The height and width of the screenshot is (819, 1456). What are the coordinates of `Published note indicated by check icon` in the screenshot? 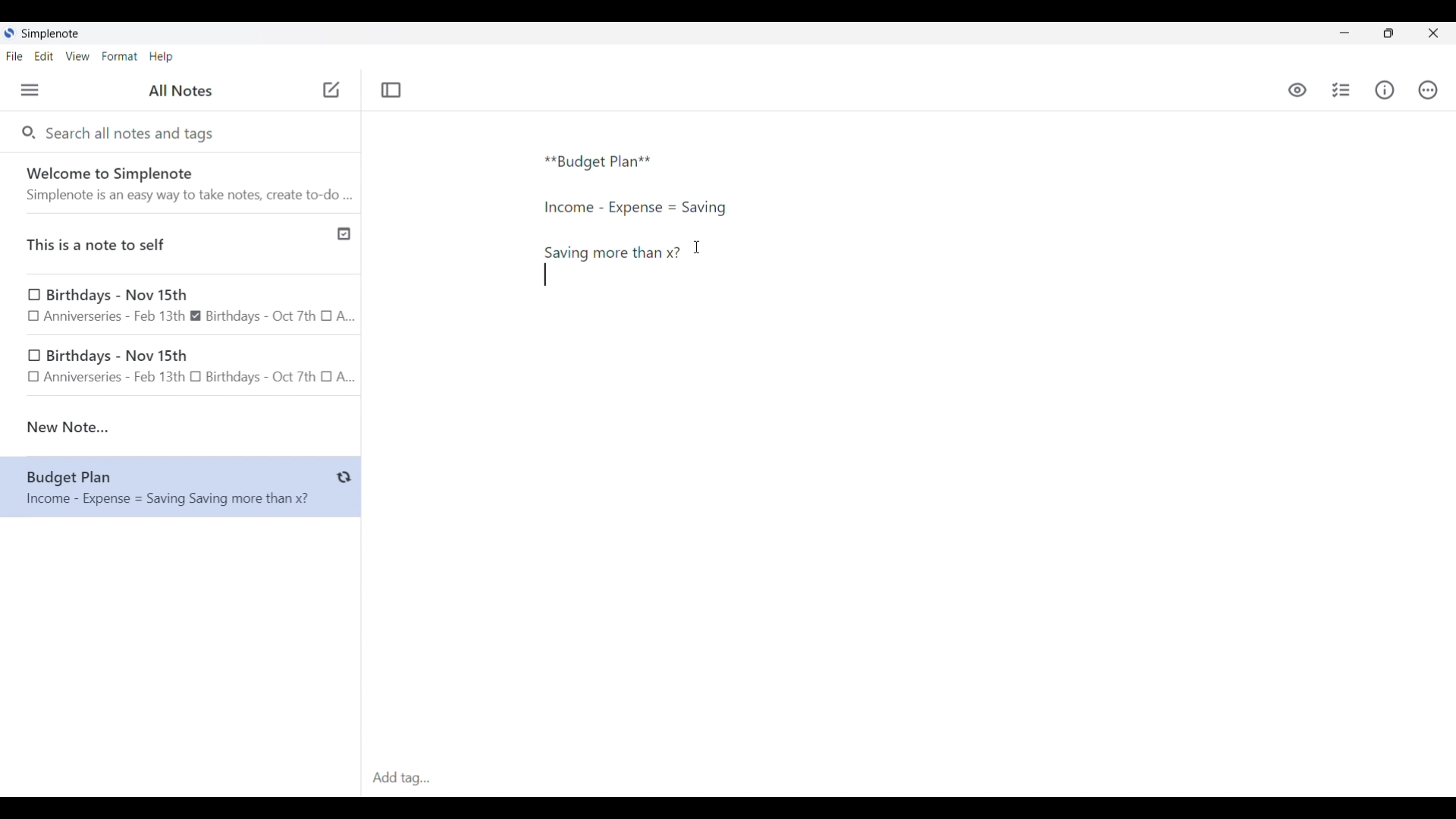 It's located at (182, 244).